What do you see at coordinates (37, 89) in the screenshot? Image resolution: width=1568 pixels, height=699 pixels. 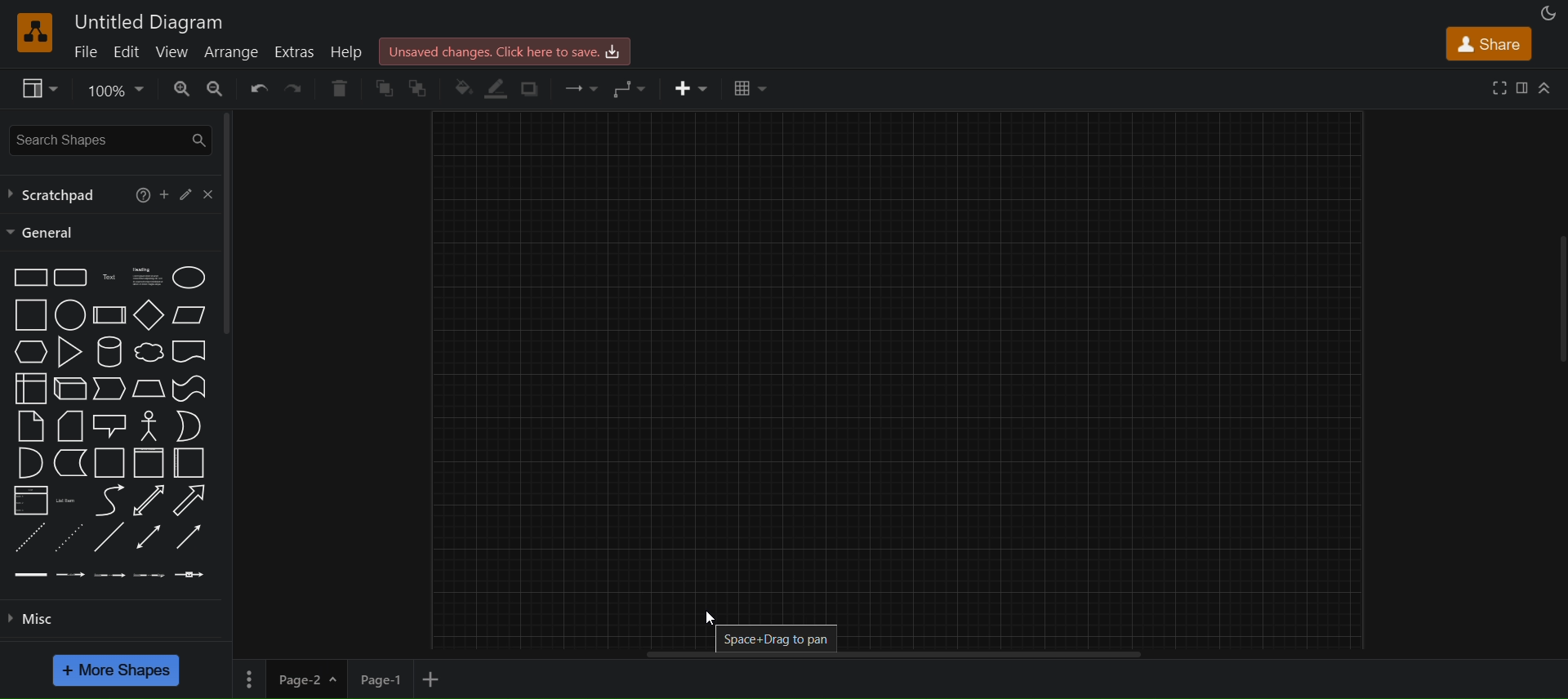 I see `view` at bounding box center [37, 89].